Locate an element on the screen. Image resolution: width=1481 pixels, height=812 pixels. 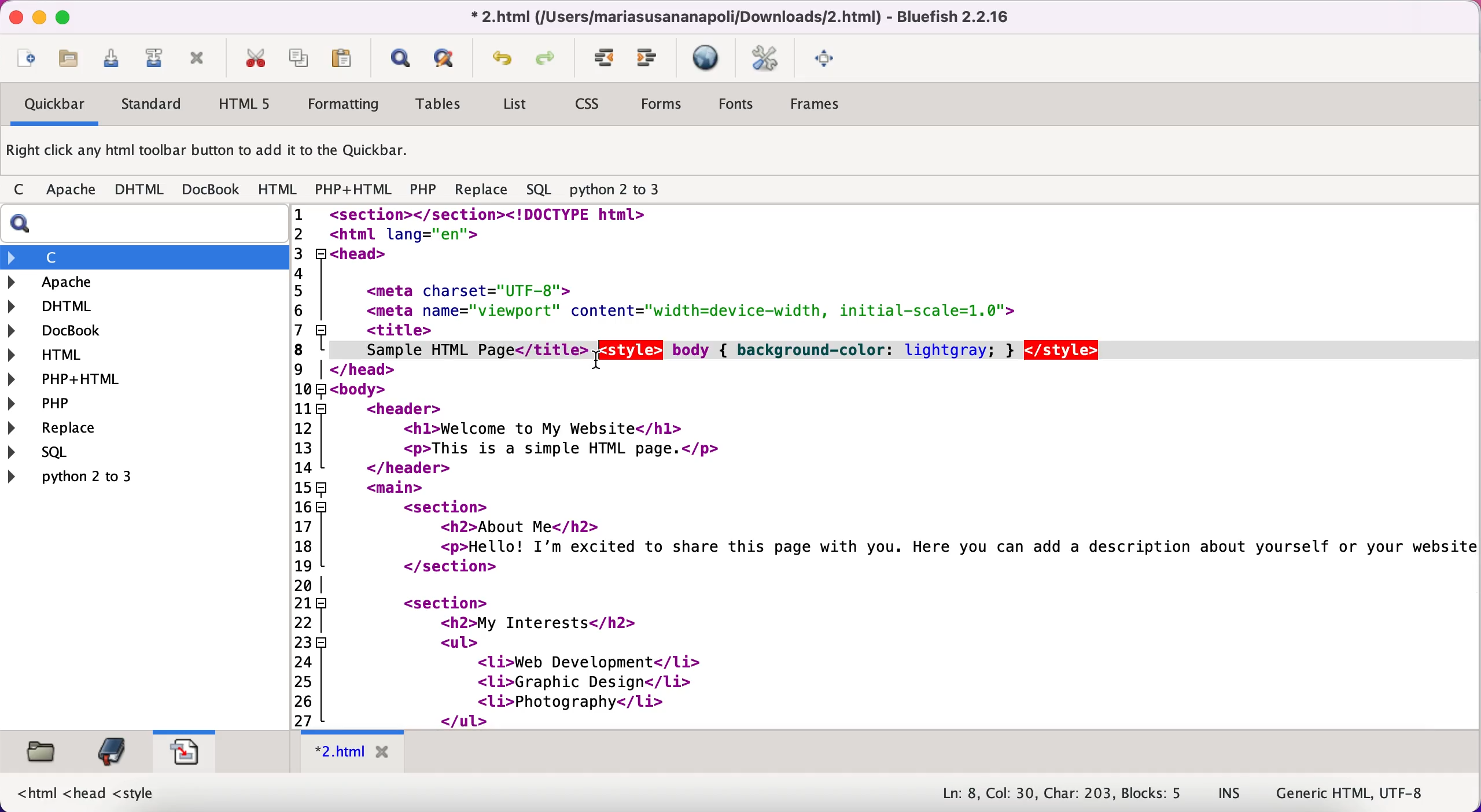
Ln: 8, Col: 30, Char: 203, Blocks: 5 is located at coordinates (1063, 794).